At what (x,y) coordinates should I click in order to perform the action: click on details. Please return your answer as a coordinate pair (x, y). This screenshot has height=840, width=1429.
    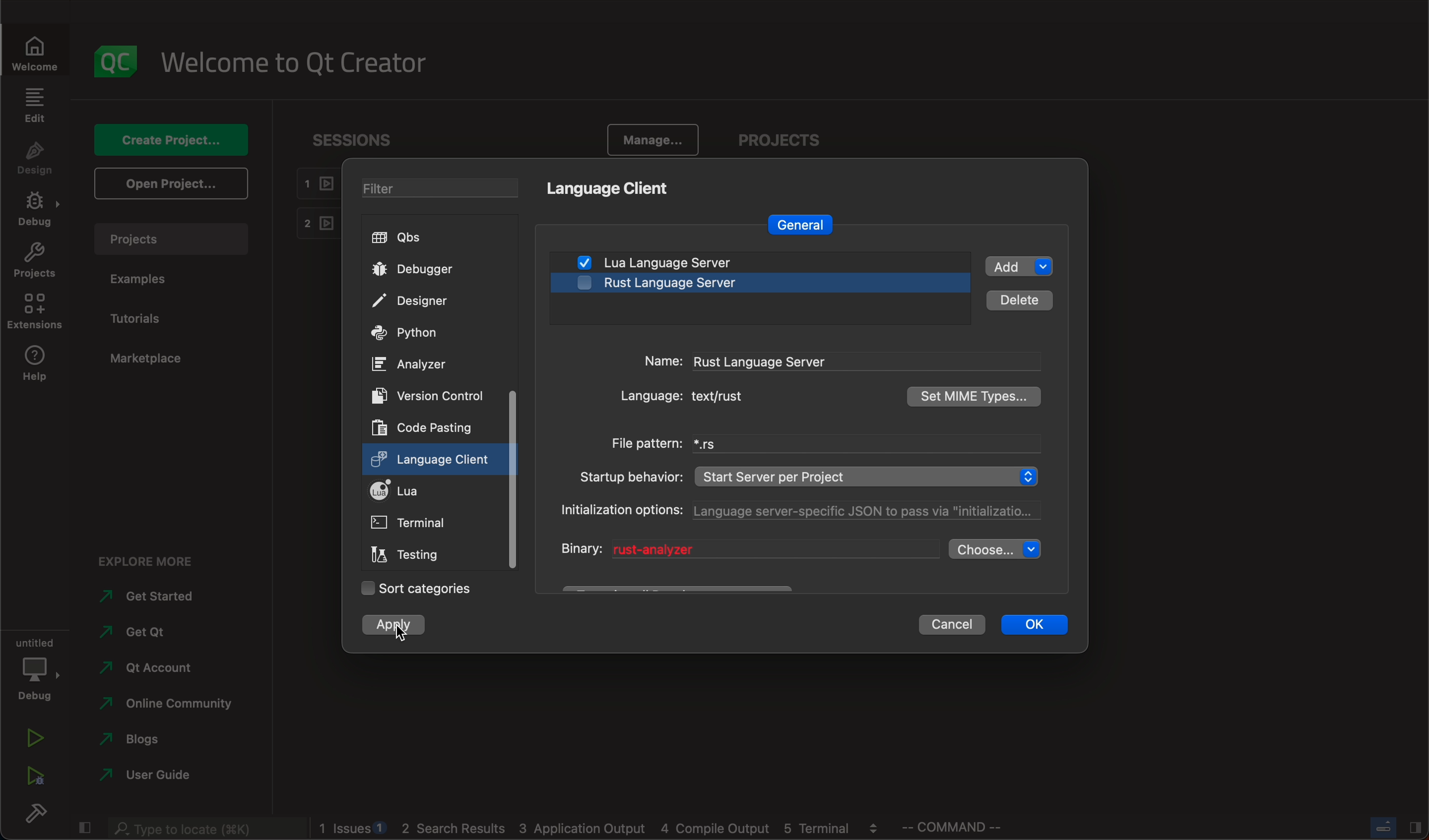
    Looking at the image, I should click on (1020, 302).